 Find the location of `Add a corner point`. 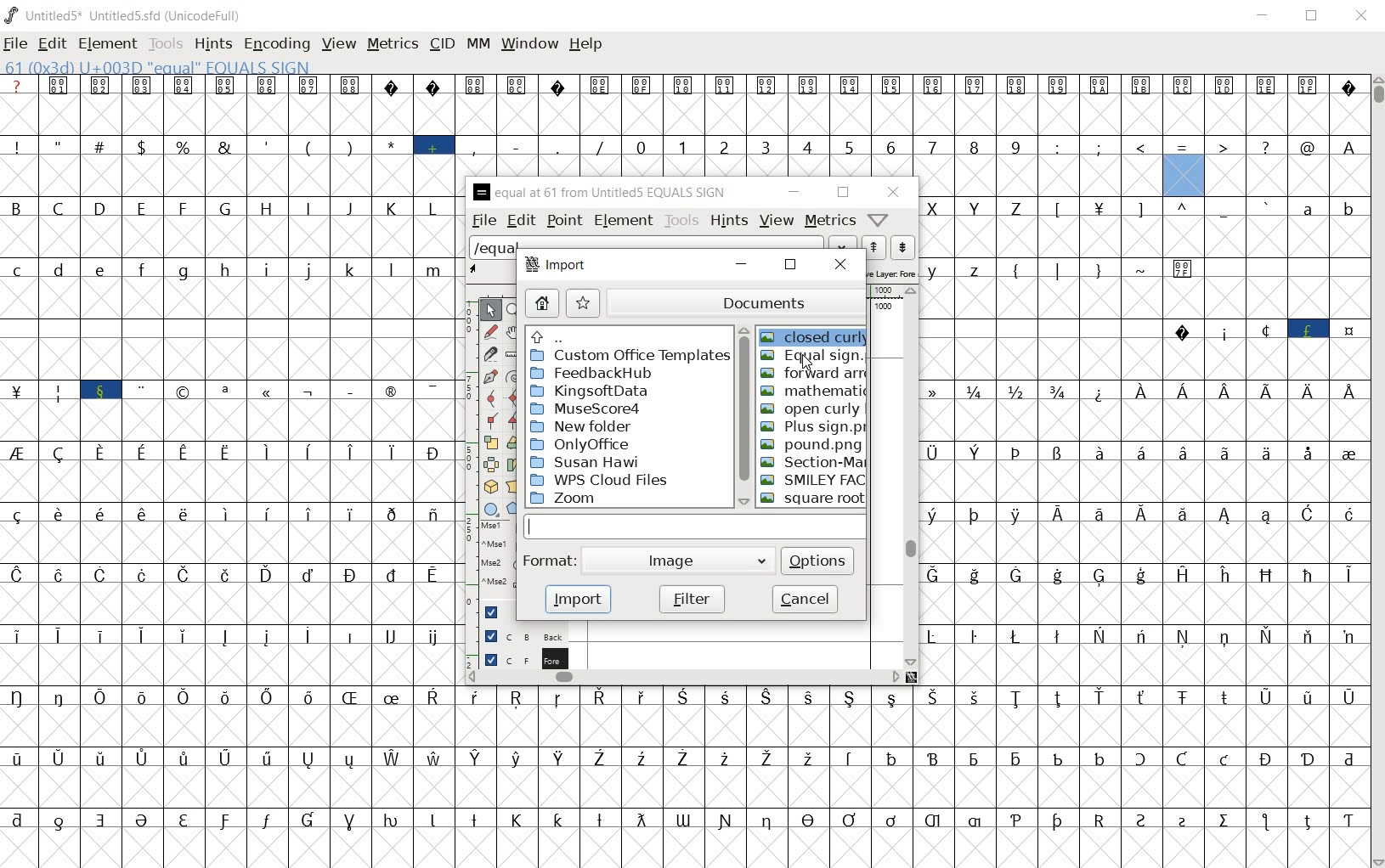

Add a corner point is located at coordinates (490, 420).